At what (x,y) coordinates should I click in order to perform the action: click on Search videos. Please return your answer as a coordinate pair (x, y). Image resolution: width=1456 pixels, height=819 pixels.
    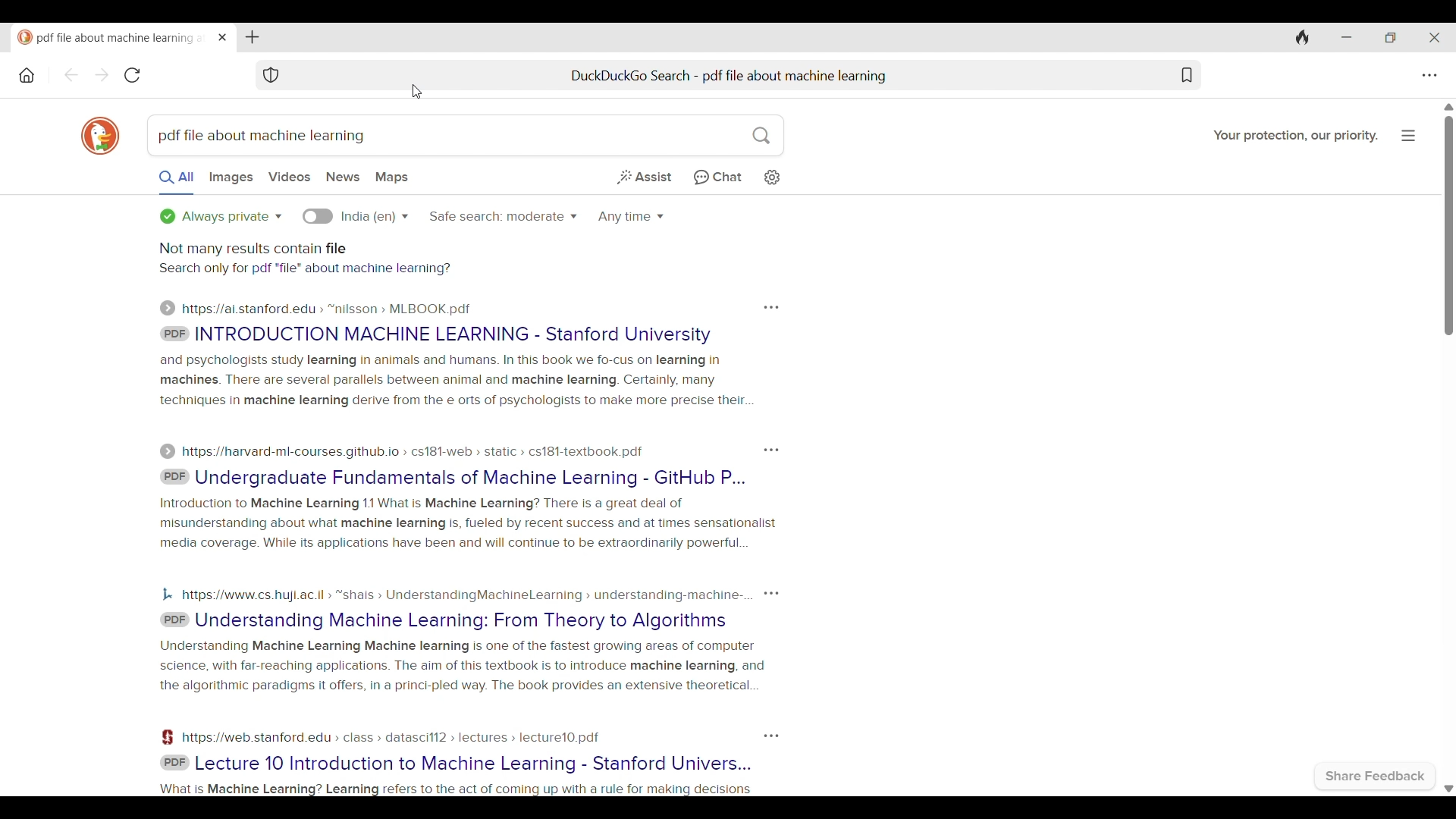
    Looking at the image, I should click on (290, 177).